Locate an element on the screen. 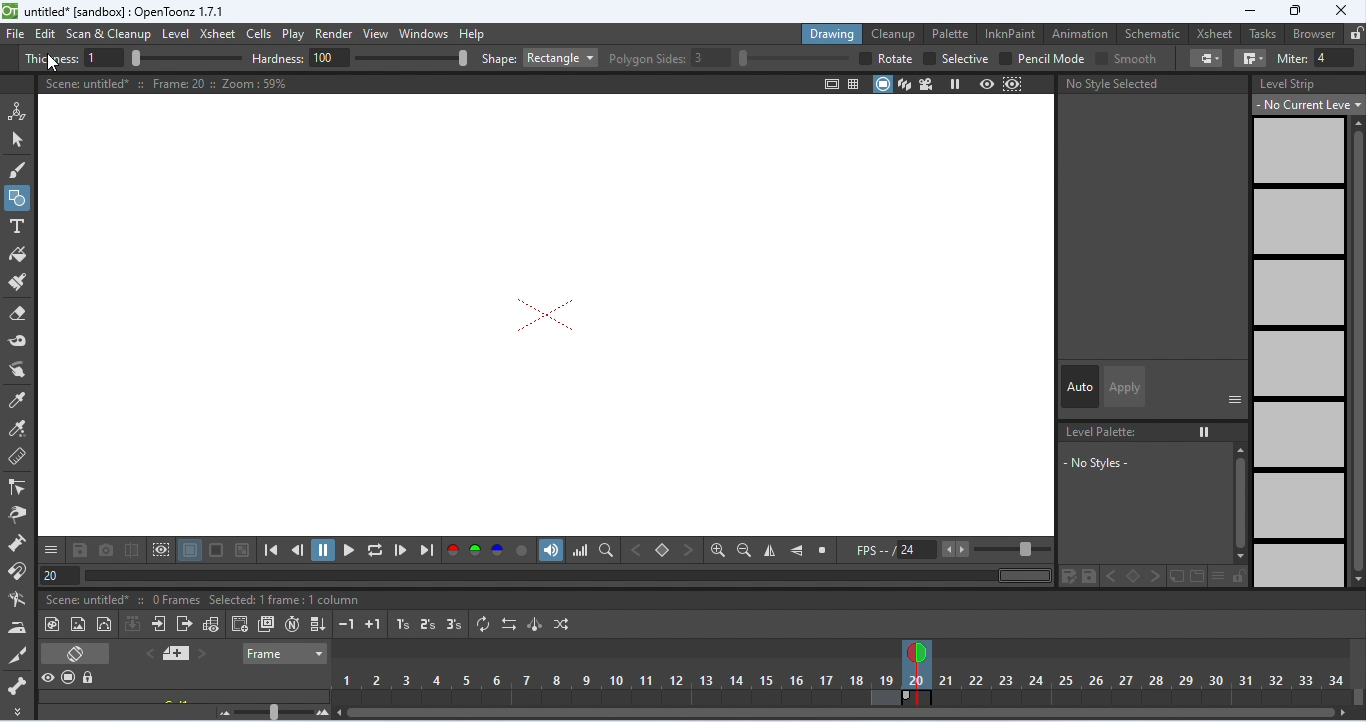 The height and width of the screenshot is (722, 1366). zoom out is located at coordinates (744, 551).